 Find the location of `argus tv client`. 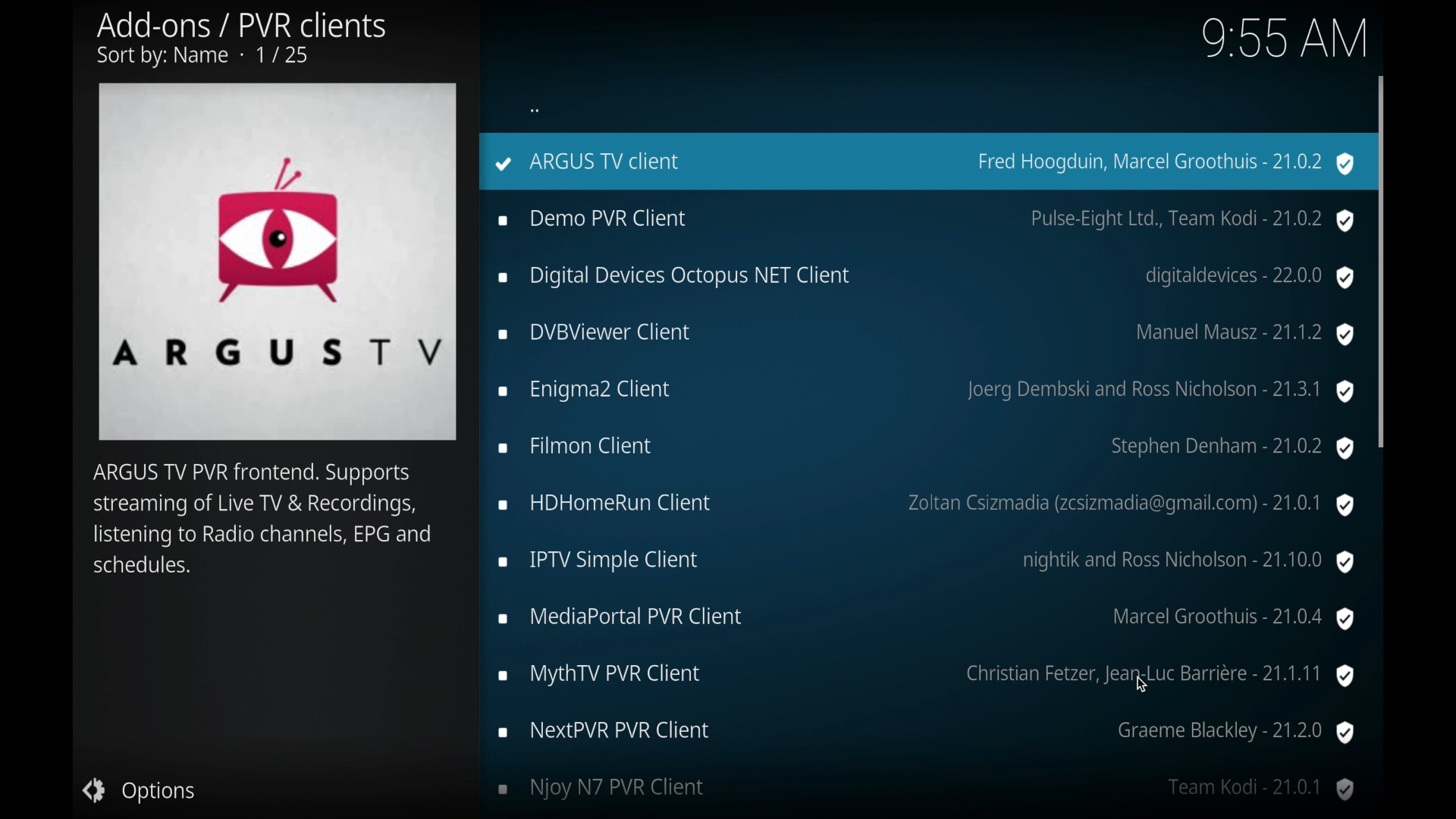

argus tv client is located at coordinates (922, 162).